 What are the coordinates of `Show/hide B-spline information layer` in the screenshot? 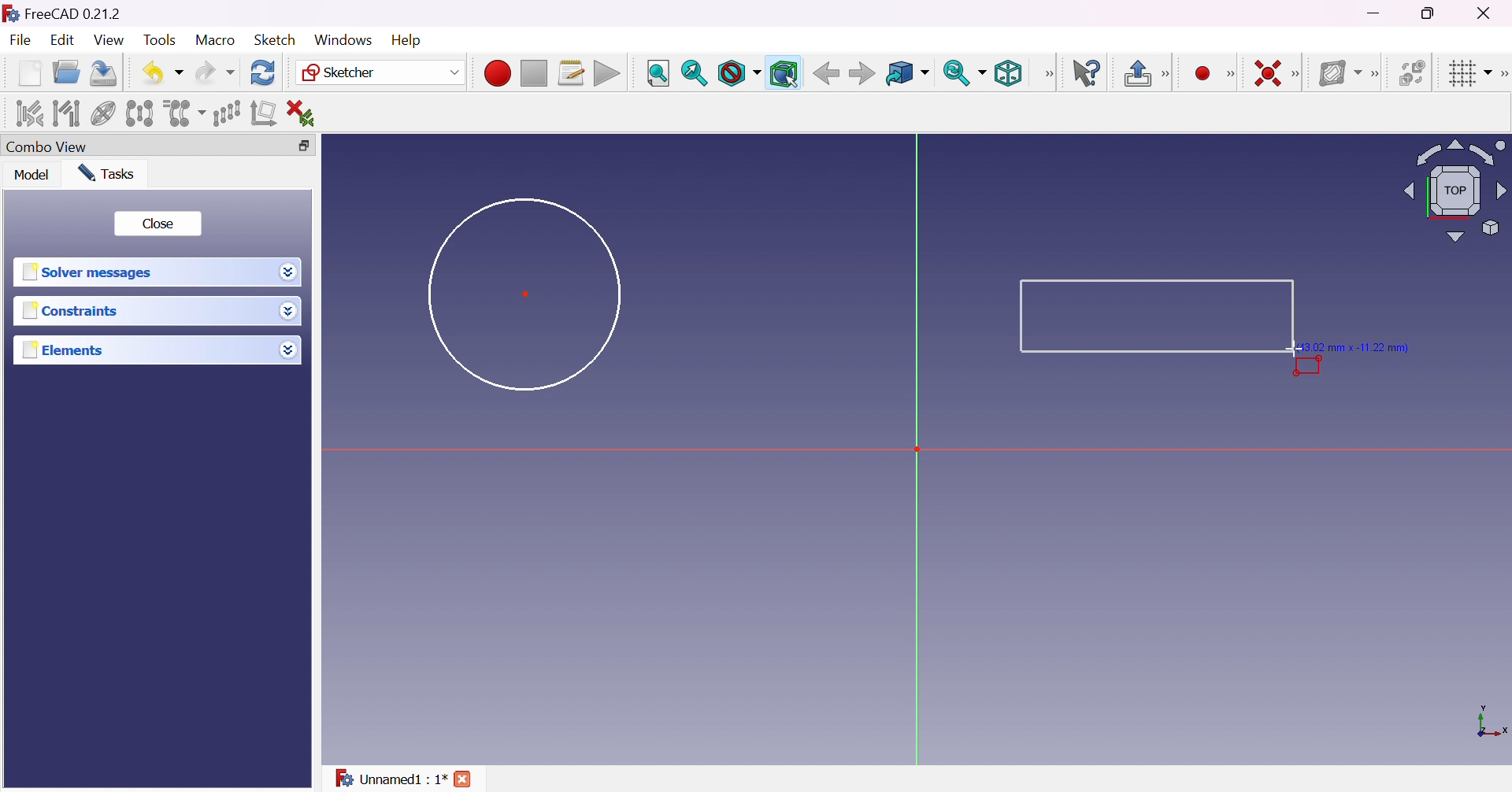 It's located at (1340, 72).